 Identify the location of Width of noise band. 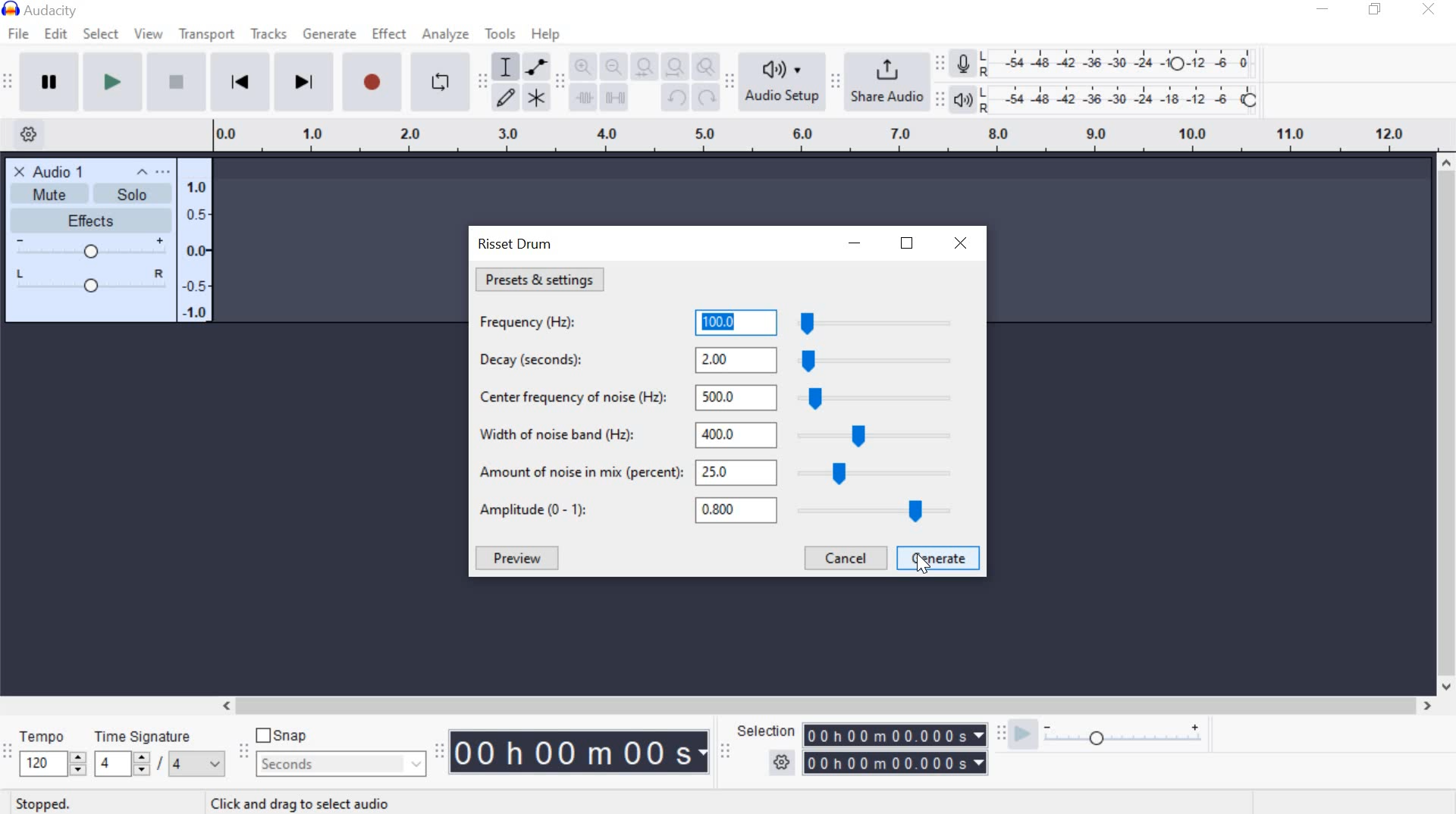
(726, 434).